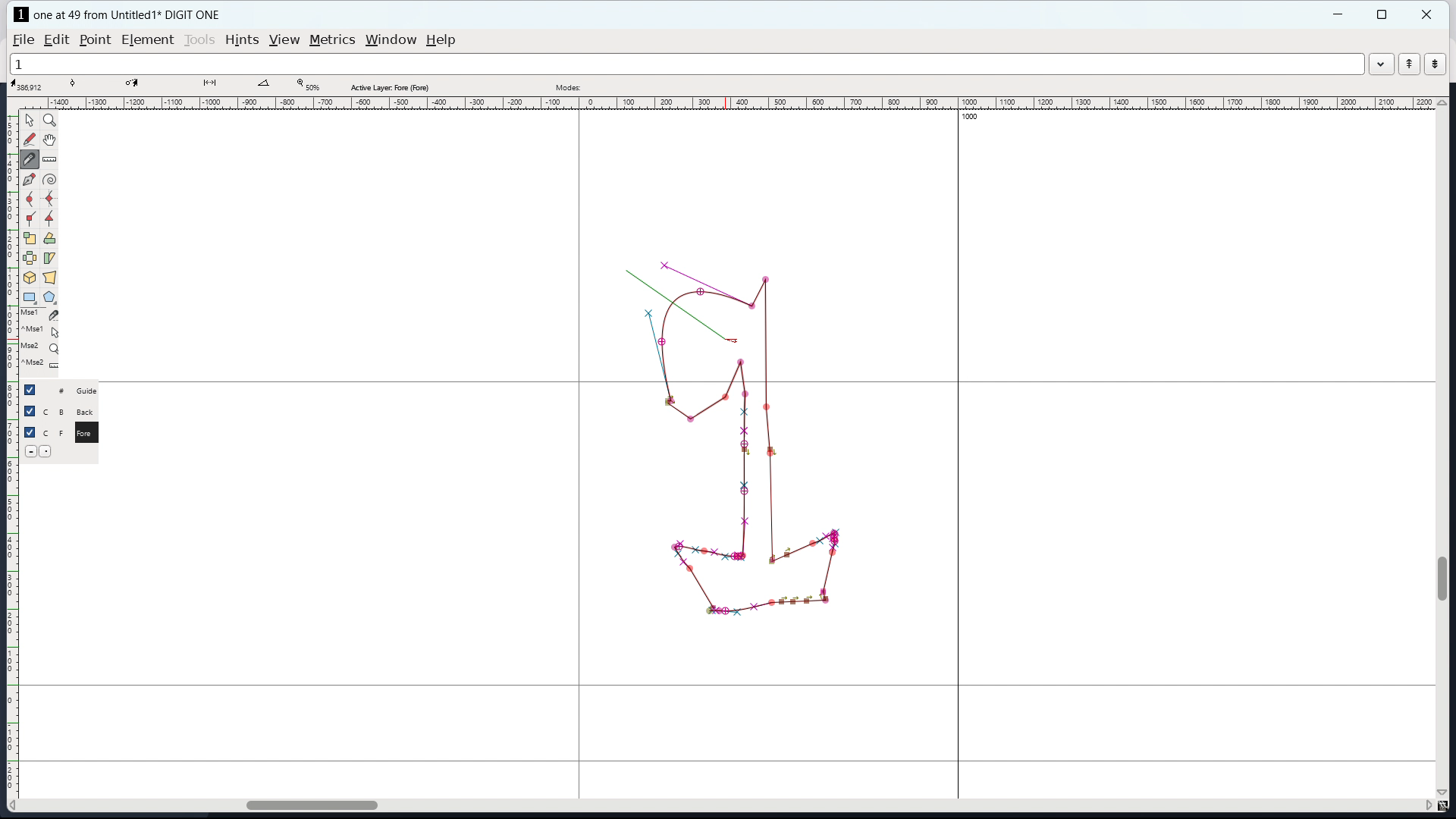  What do you see at coordinates (91, 391) in the screenshot?
I see `guide` at bounding box center [91, 391].